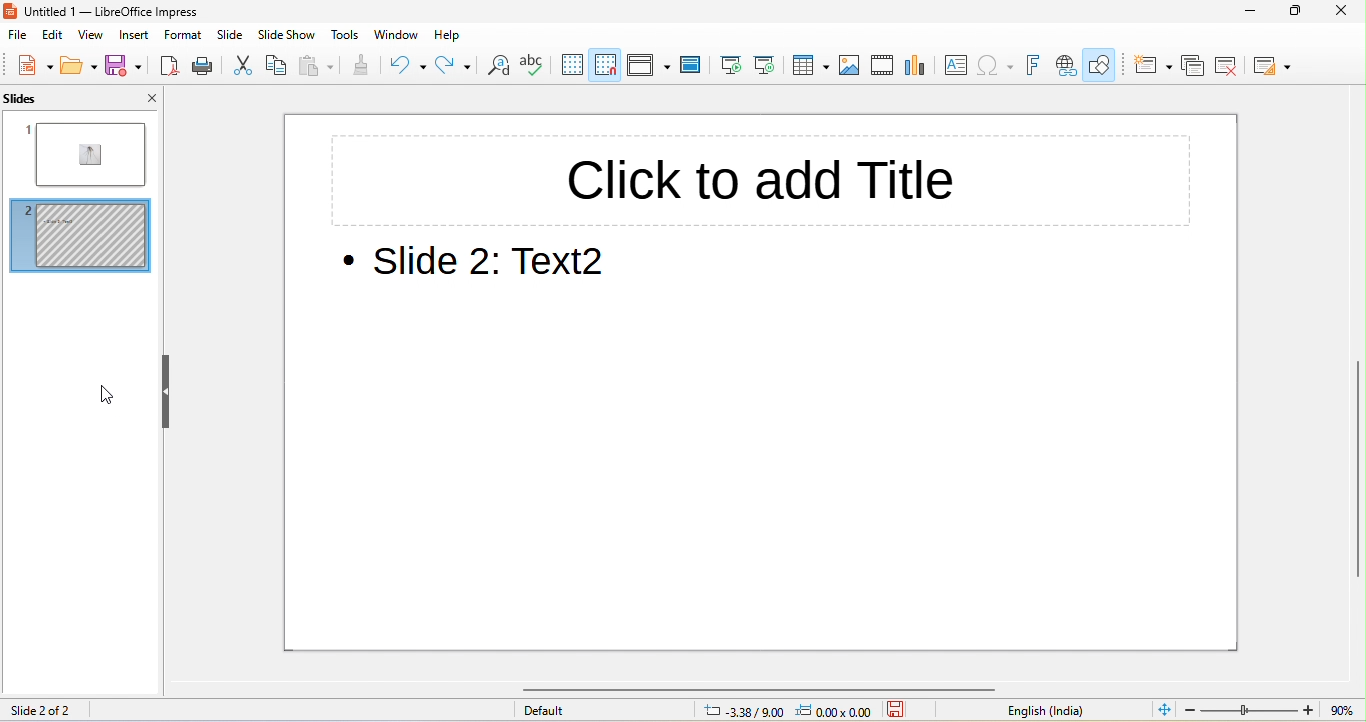 This screenshot has height=722, width=1366. I want to click on duplicate slide, so click(1193, 65).